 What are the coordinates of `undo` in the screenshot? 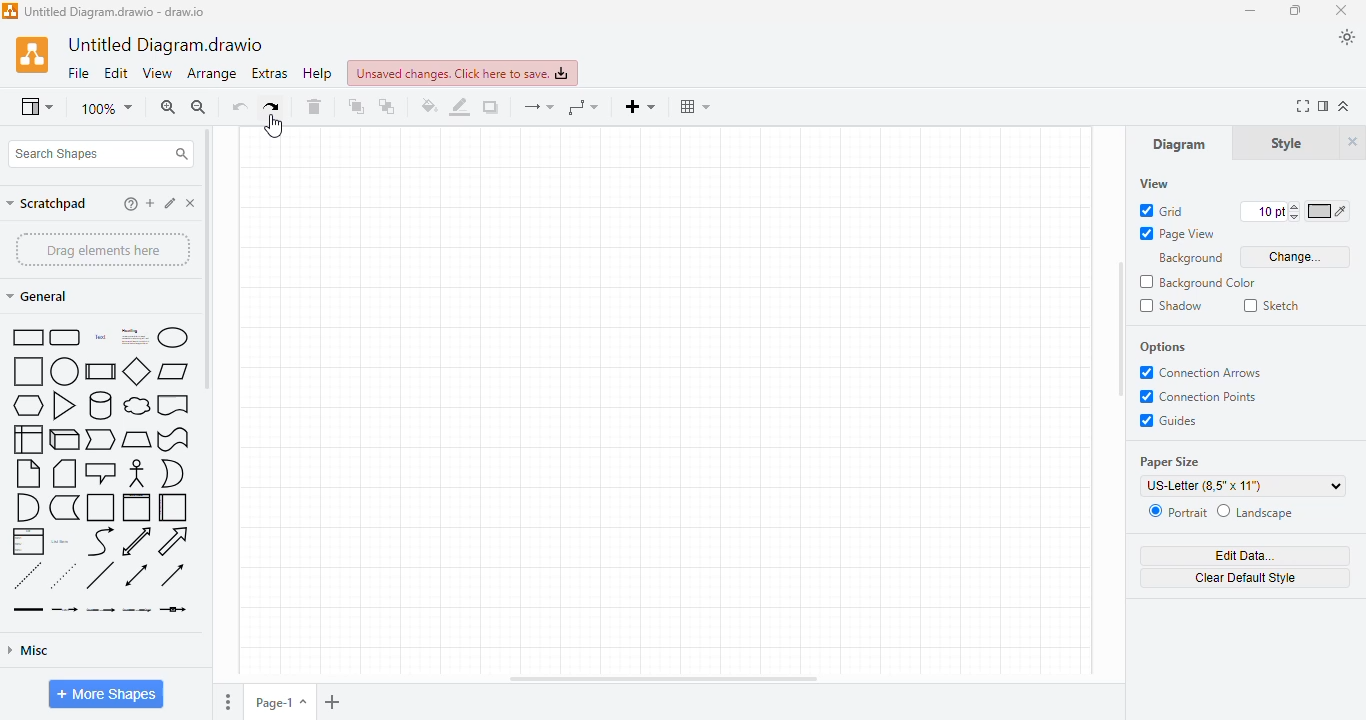 It's located at (240, 107).